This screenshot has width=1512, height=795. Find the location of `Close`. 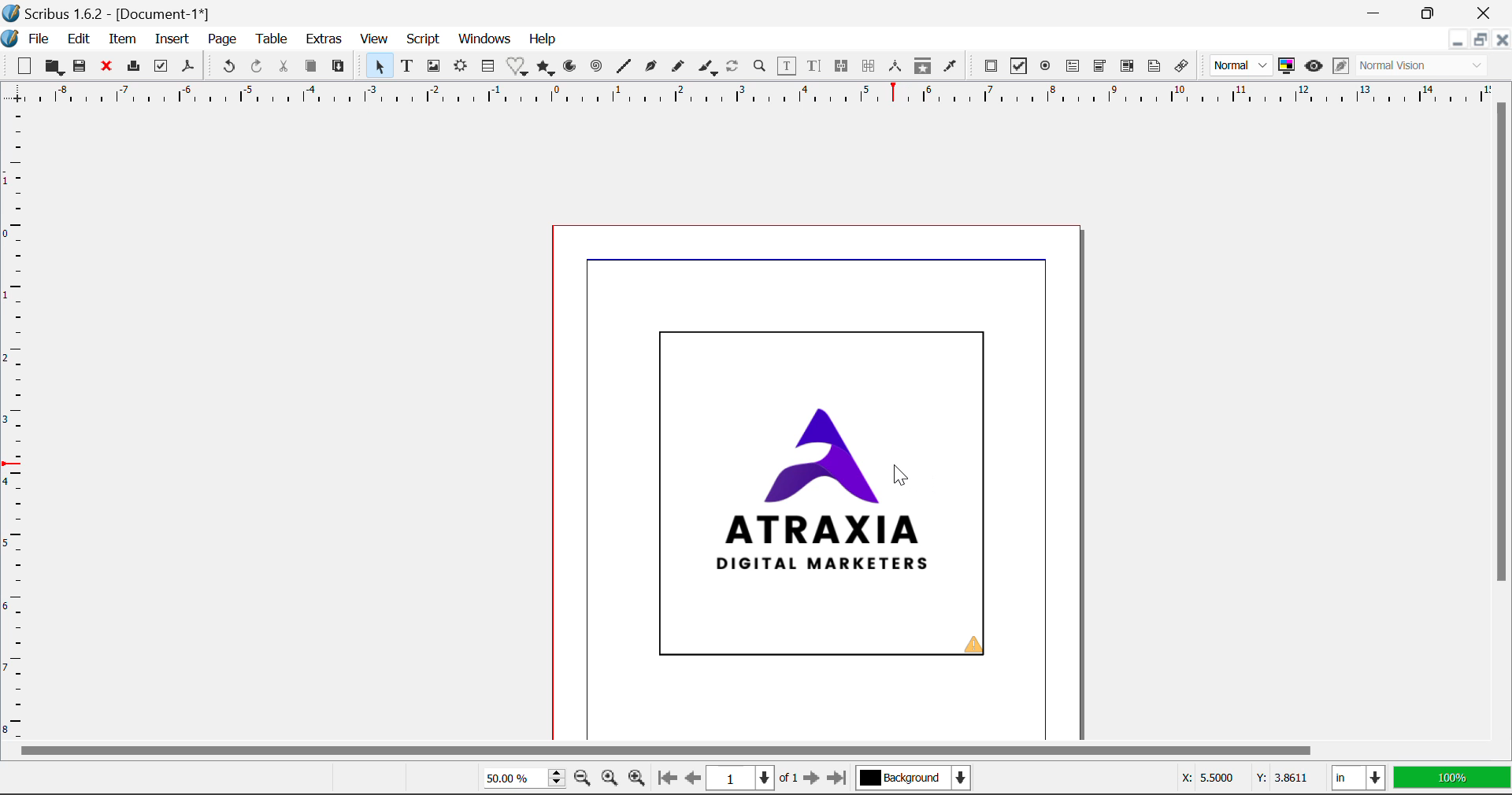

Close is located at coordinates (1484, 11).